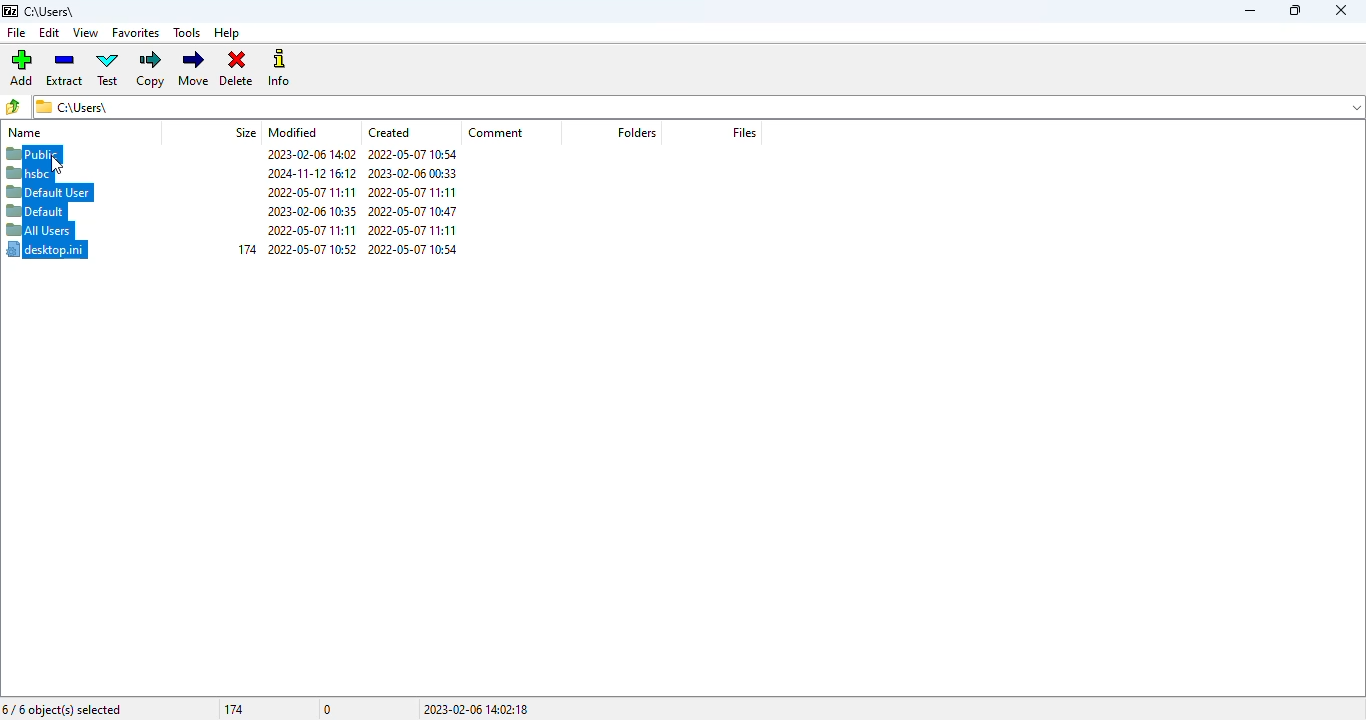 This screenshot has height=720, width=1366. What do you see at coordinates (412, 154) in the screenshot?
I see `2022-05-07 10:54` at bounding box center [412, 154].